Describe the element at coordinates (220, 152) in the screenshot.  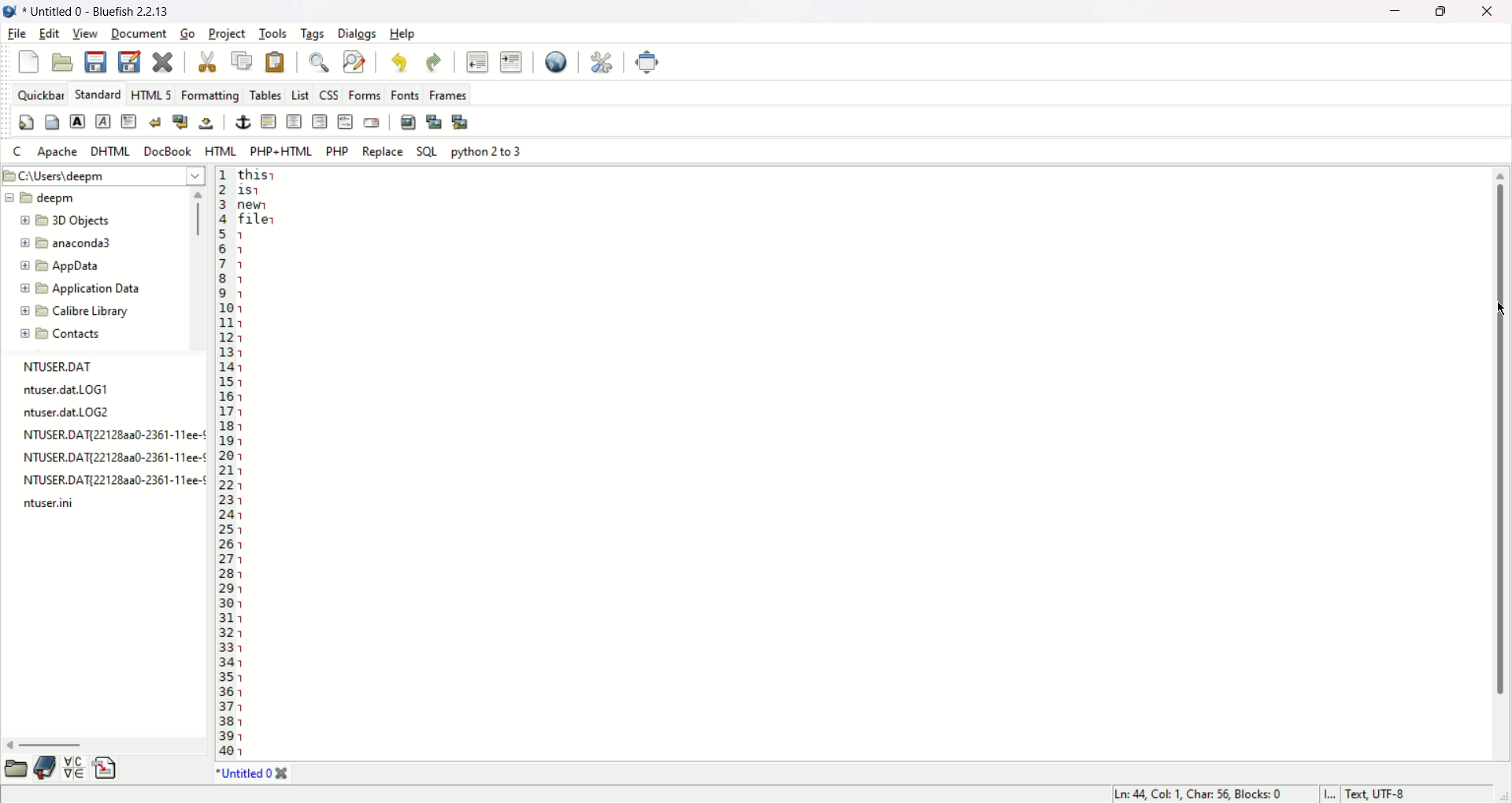
I see `HTML` at that location.